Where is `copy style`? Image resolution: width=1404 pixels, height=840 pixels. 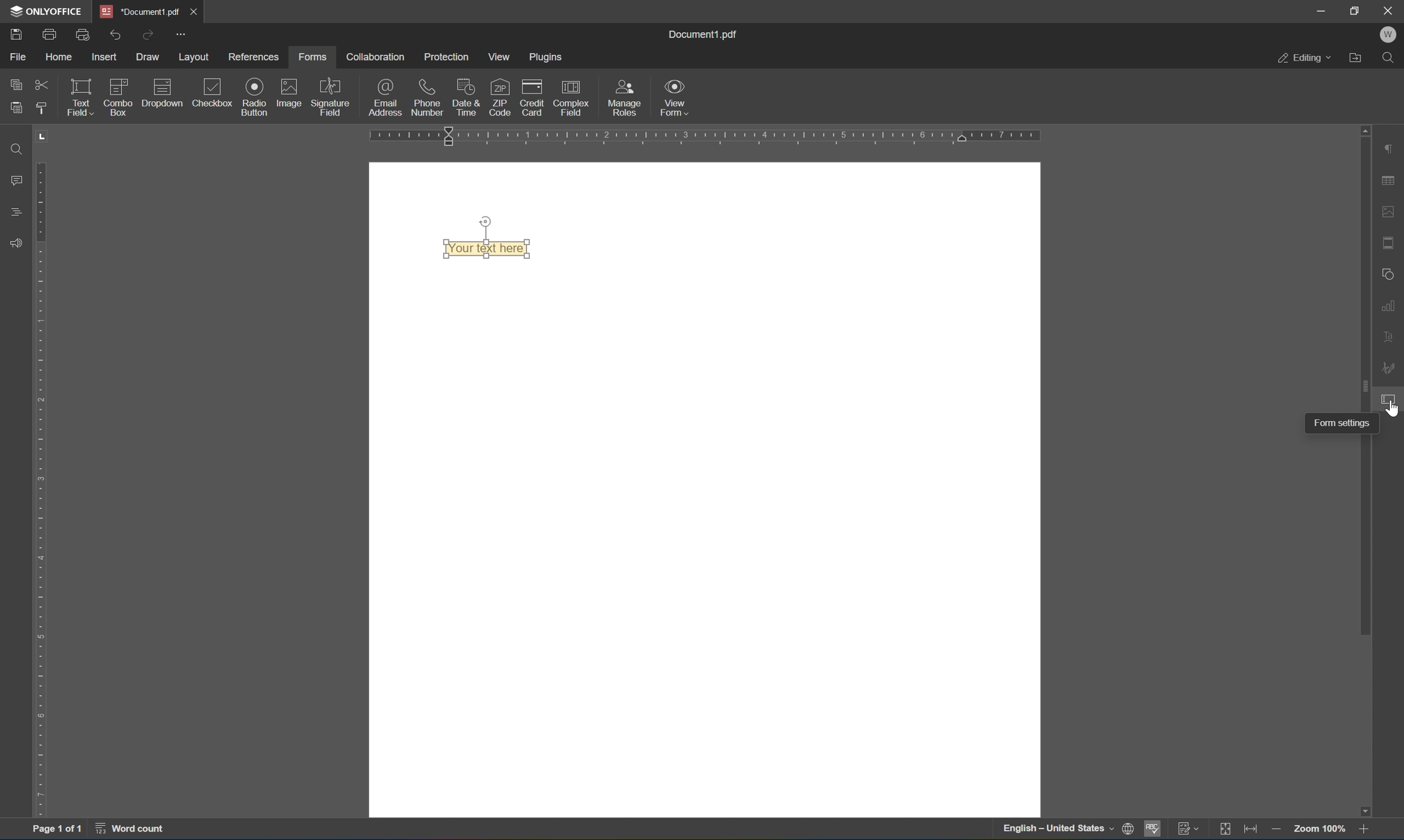 copy style is located at coordinates (41, 108).